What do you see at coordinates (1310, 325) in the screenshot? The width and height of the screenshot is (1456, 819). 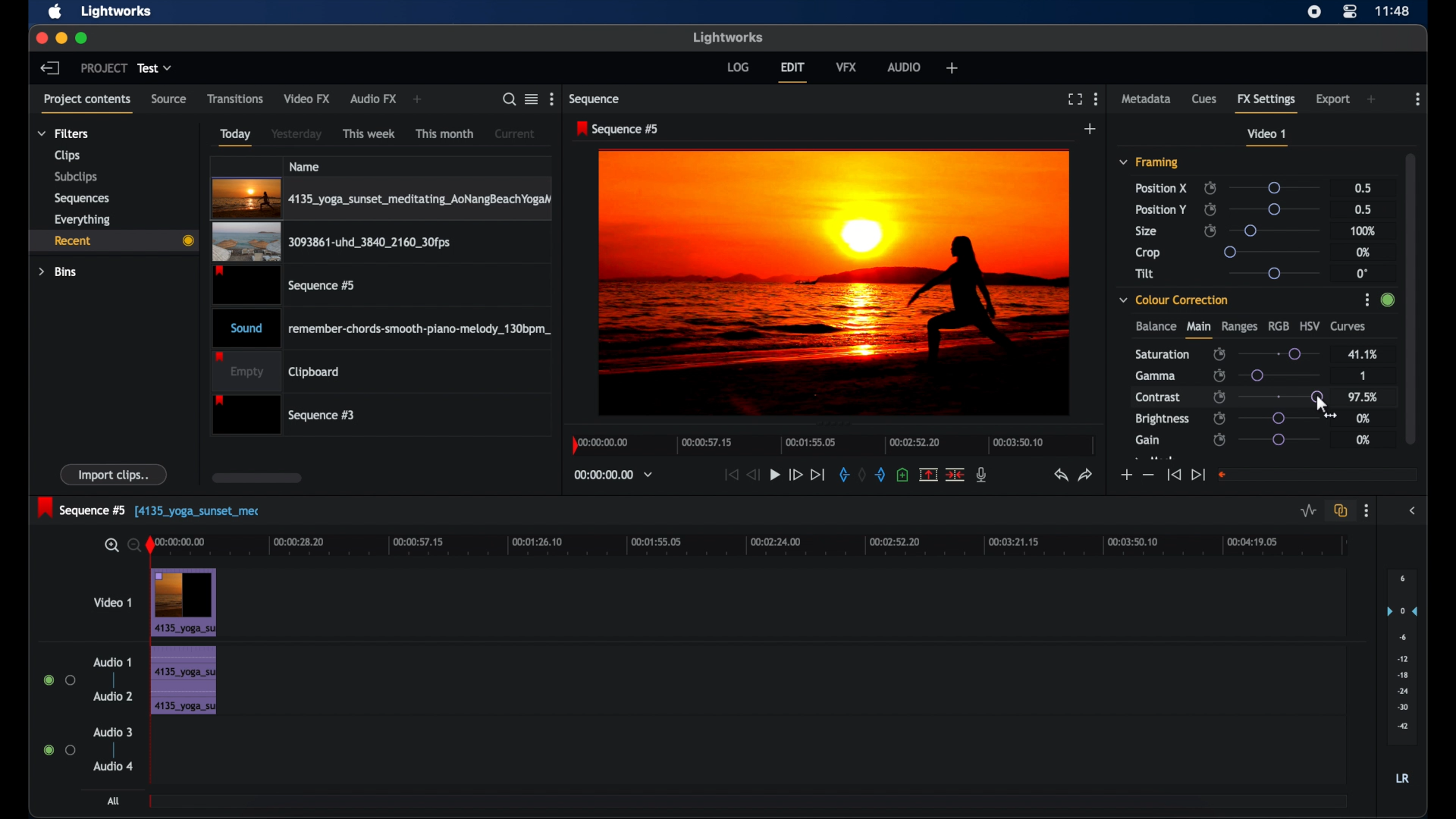 I see `hsv` at bounding box center [1310, 325].